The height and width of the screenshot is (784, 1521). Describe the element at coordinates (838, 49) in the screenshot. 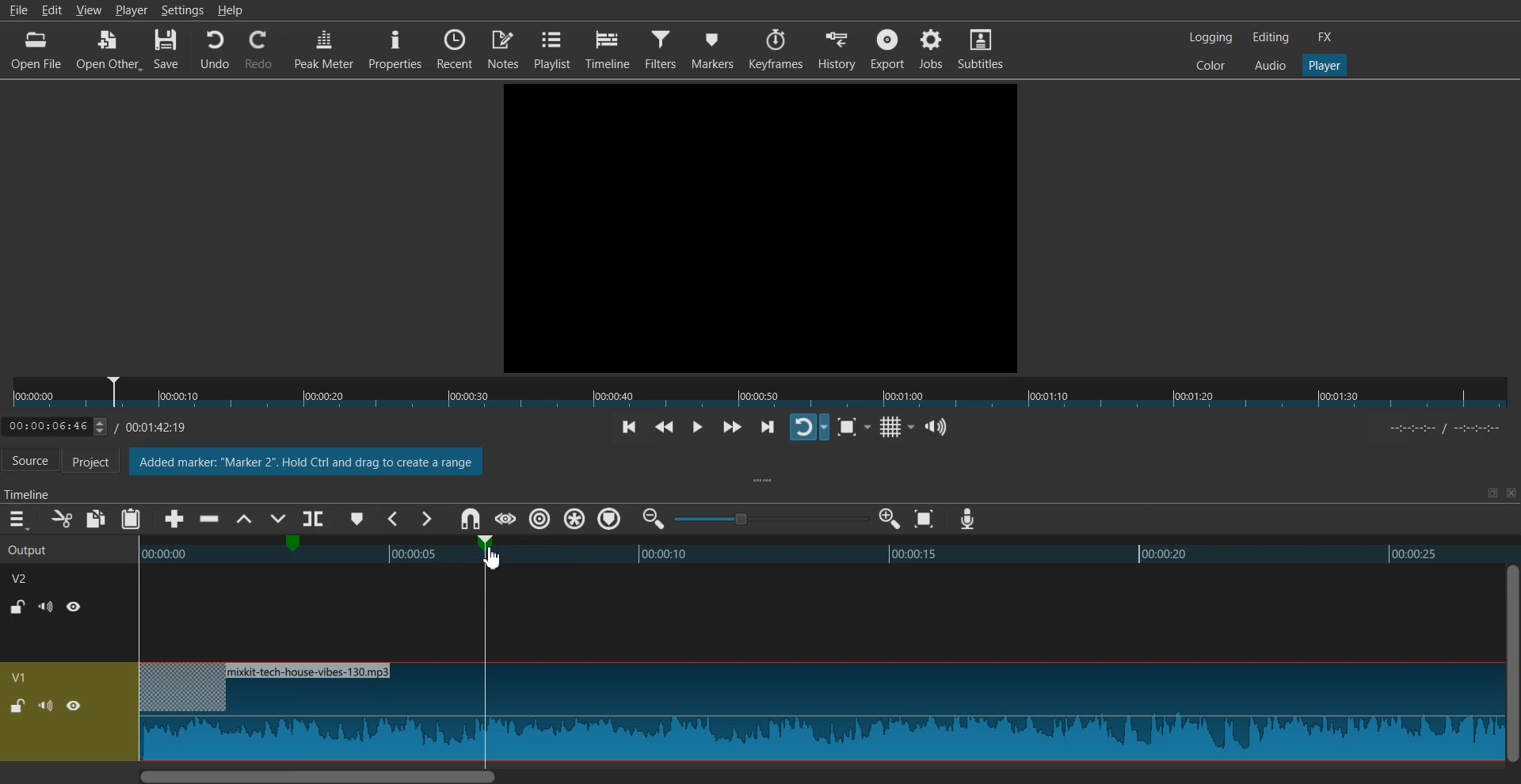

I see `History` at that location.